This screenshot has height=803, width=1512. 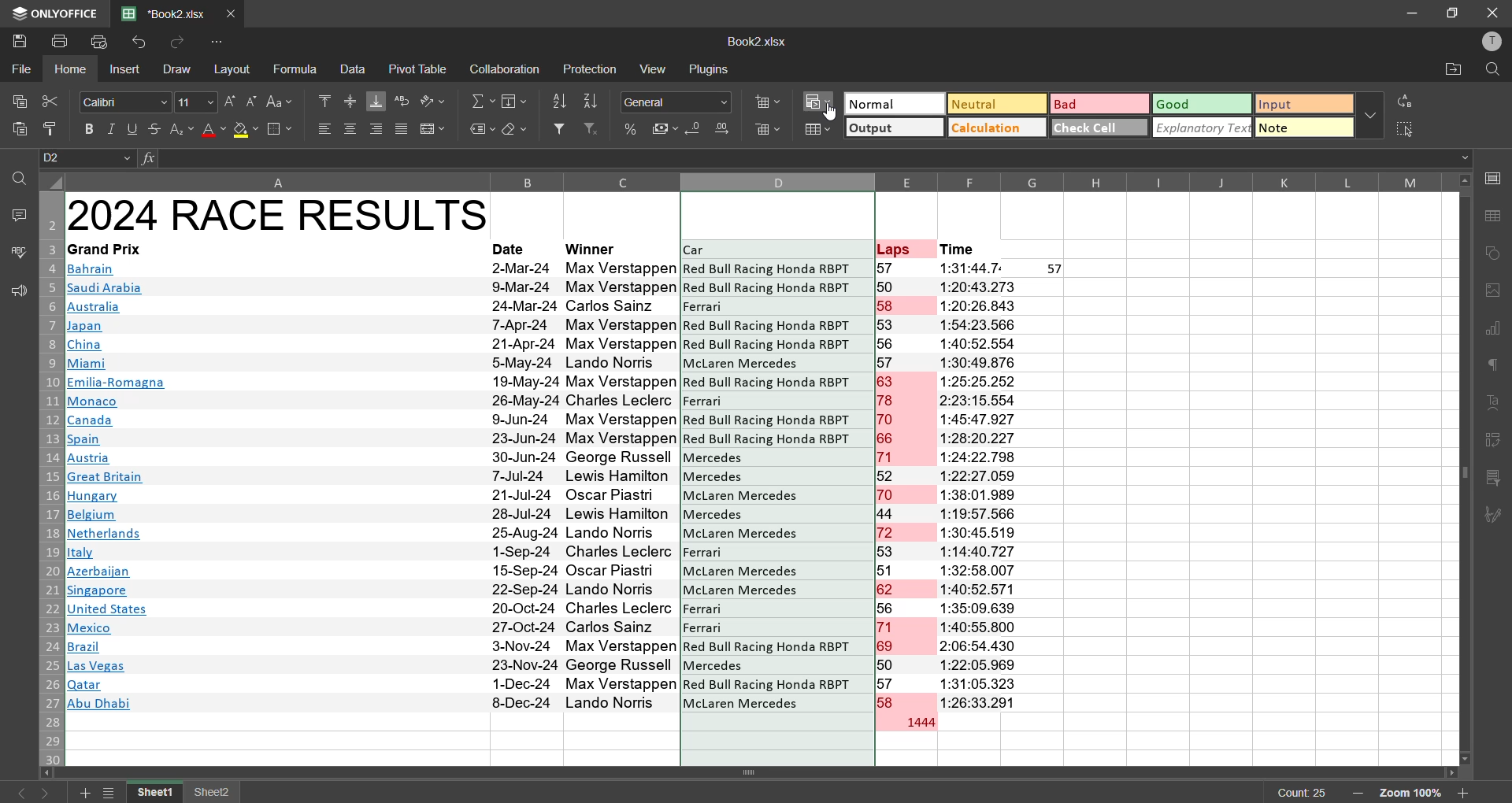 I want to click on strikethrough, so click(x=153, y=128).